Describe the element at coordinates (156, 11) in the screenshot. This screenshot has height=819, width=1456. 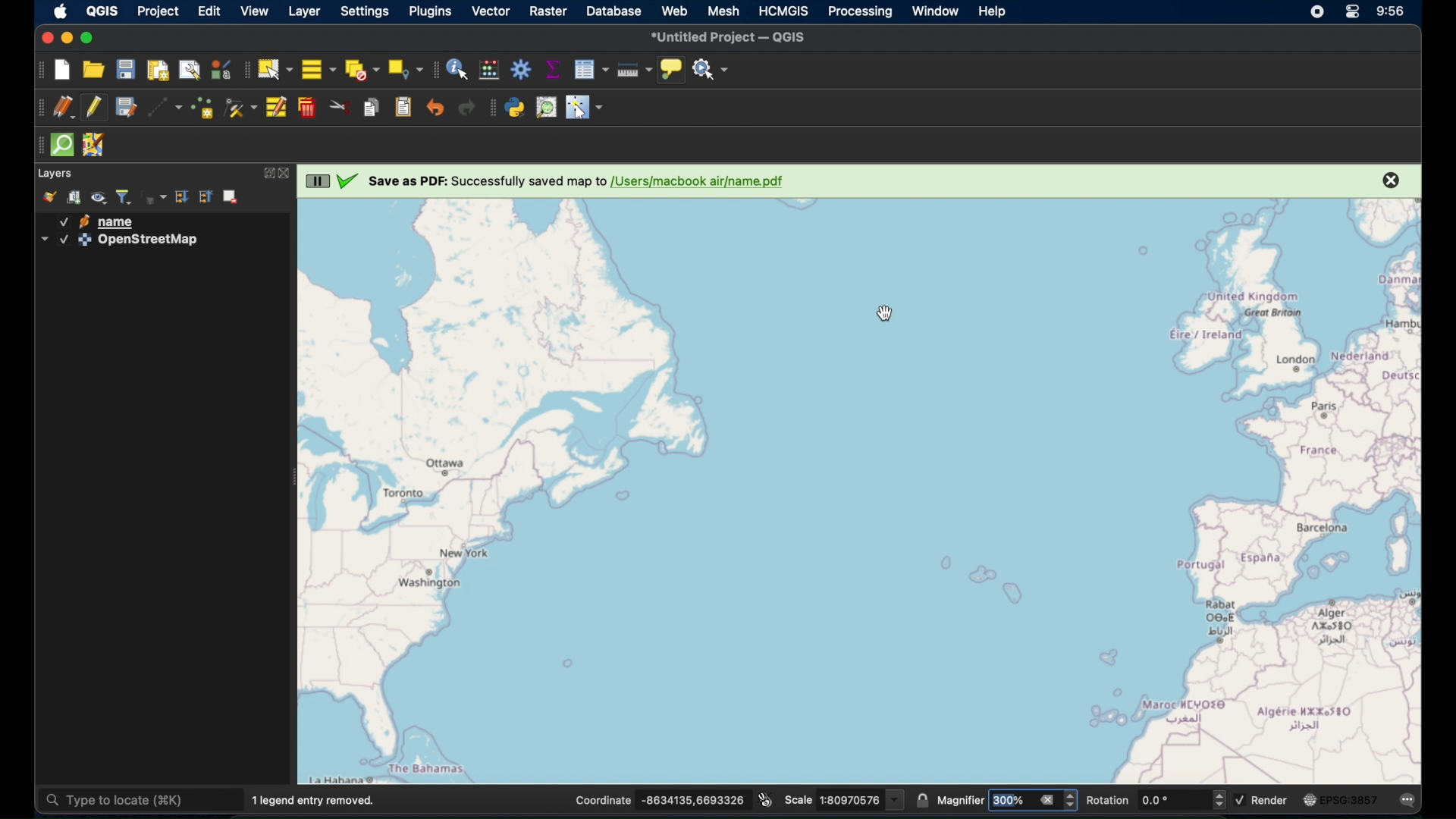
I see `project` at that location.